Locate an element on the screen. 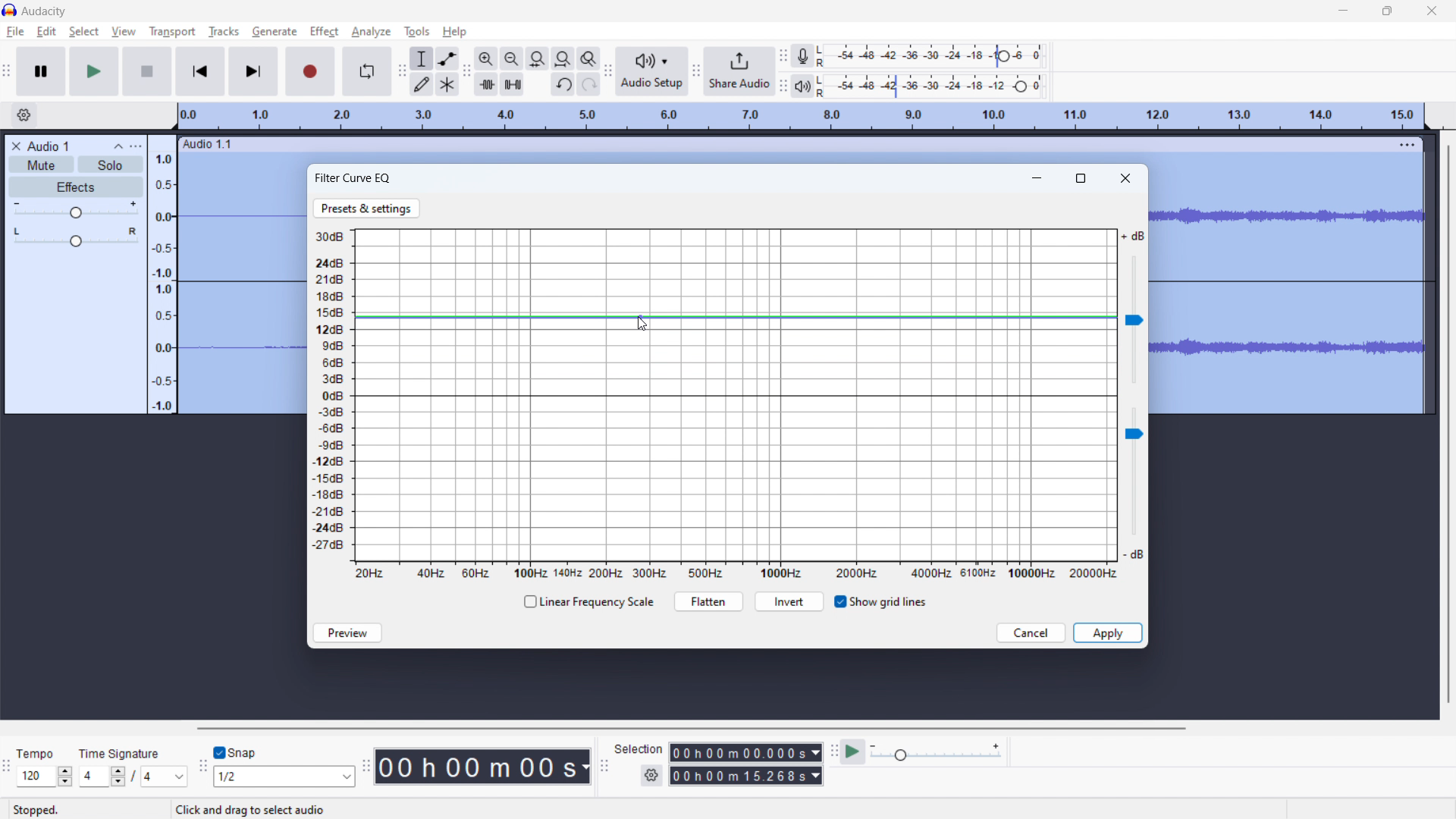  selection tool is located at coordinates (421, 58).